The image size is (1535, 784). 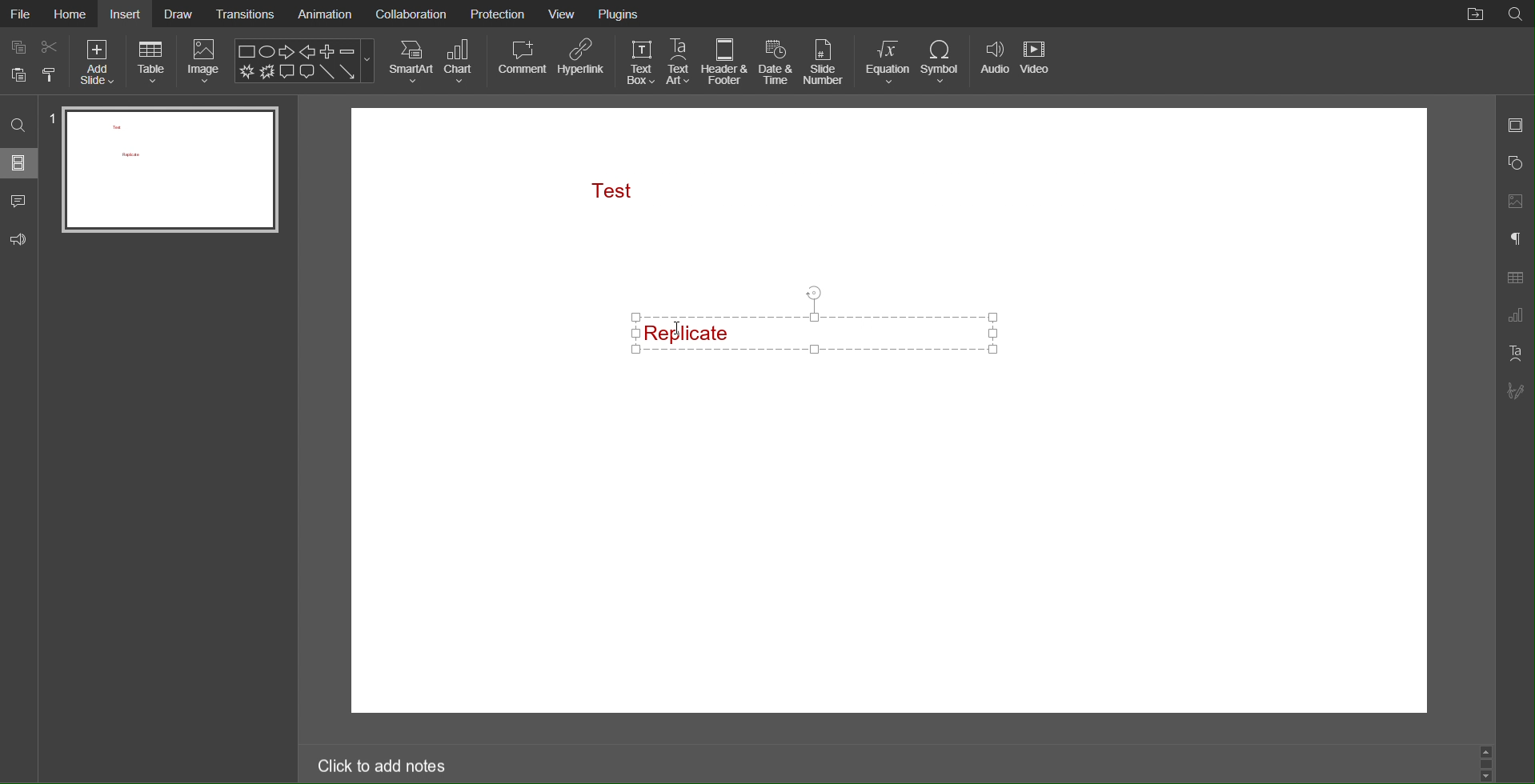 What do you see at coordinates (1517, 13) in the screenshot?
I see `Search` at bounding box center [1517, 13].